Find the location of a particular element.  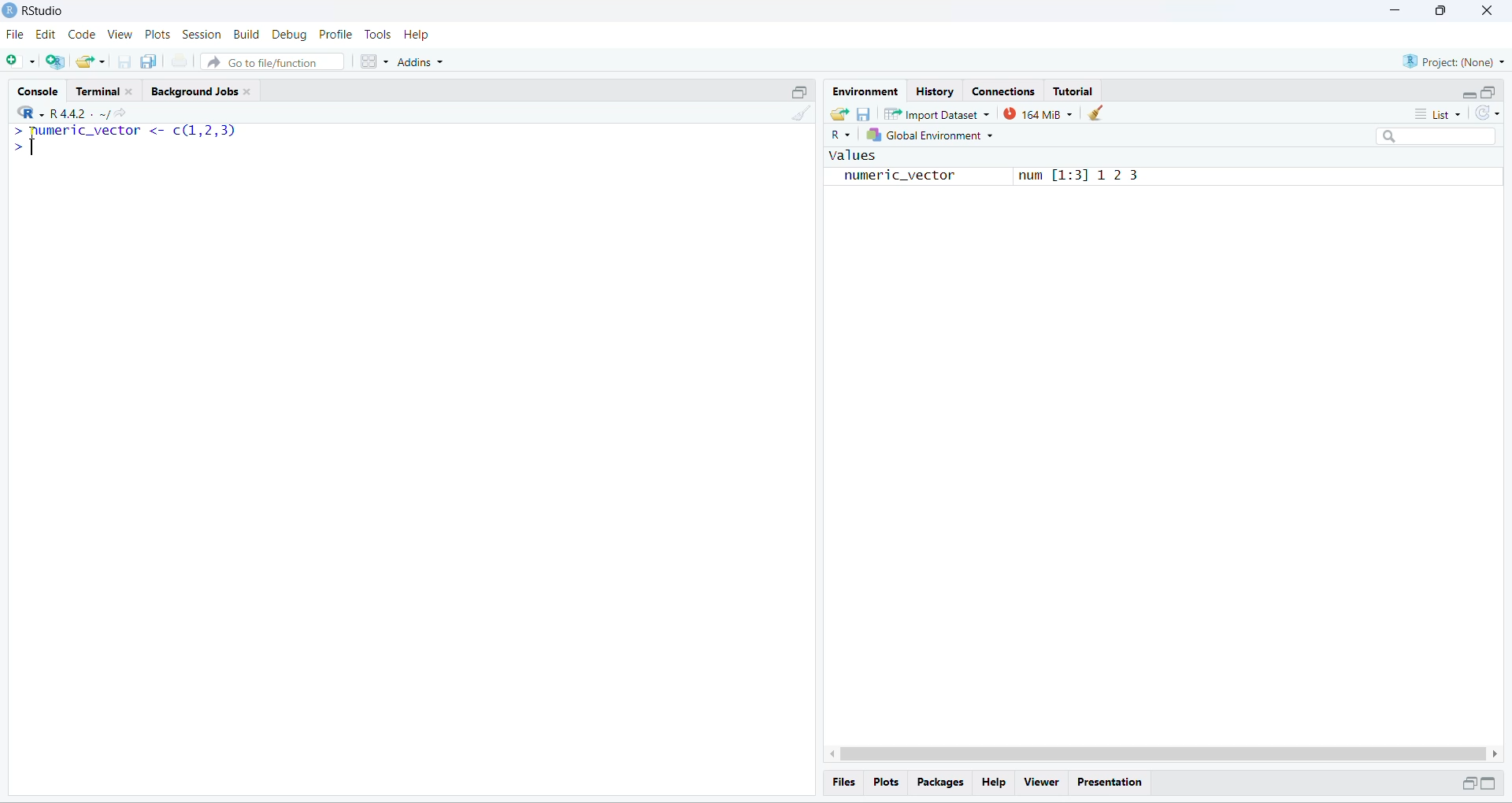

Connections is located at coordinates (1002, 90).